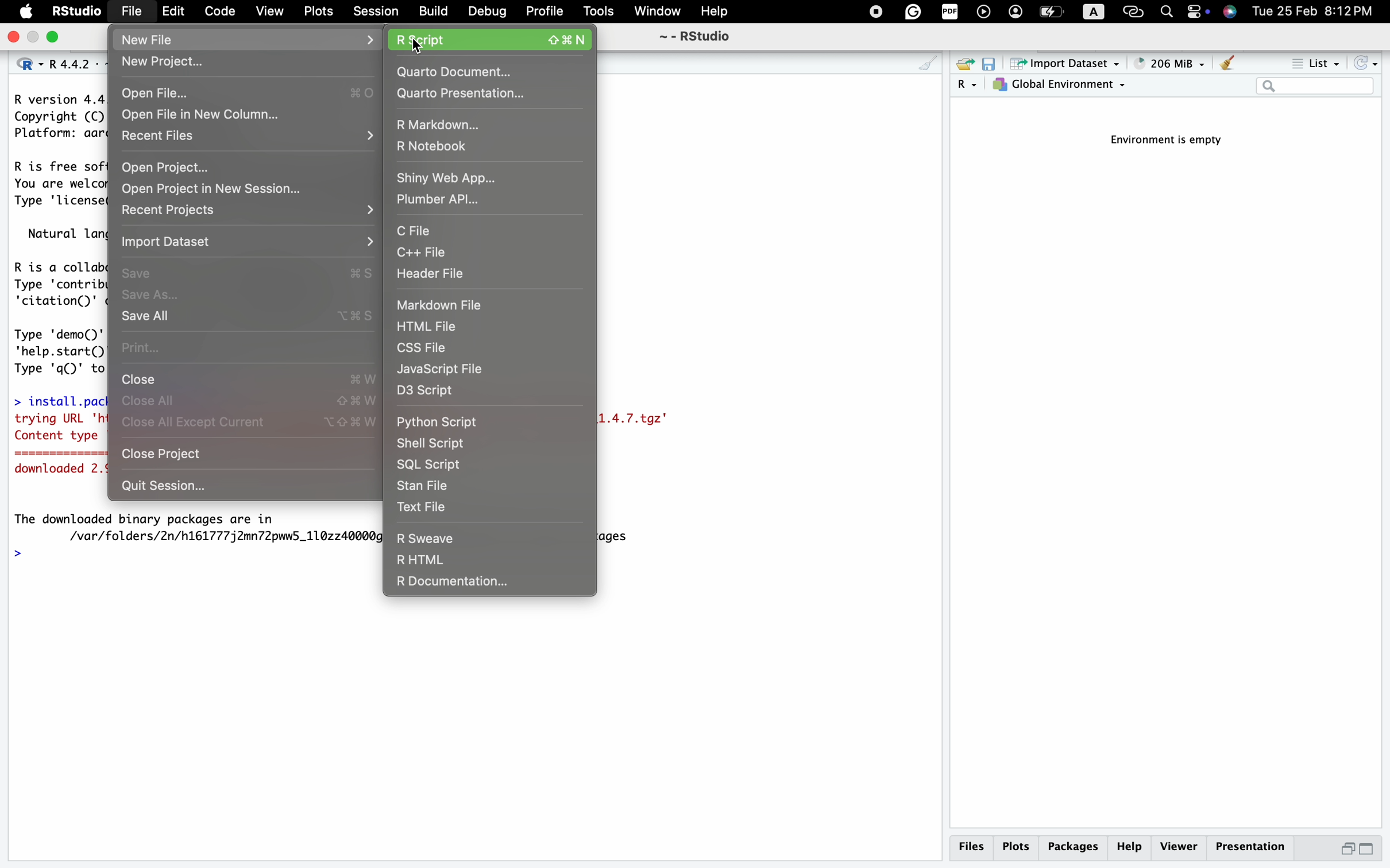 The image size is (1390, 868). What do you see at coordinates (173, 13) in the screenshot?
I see `edit` at bounding box center [173, 13].